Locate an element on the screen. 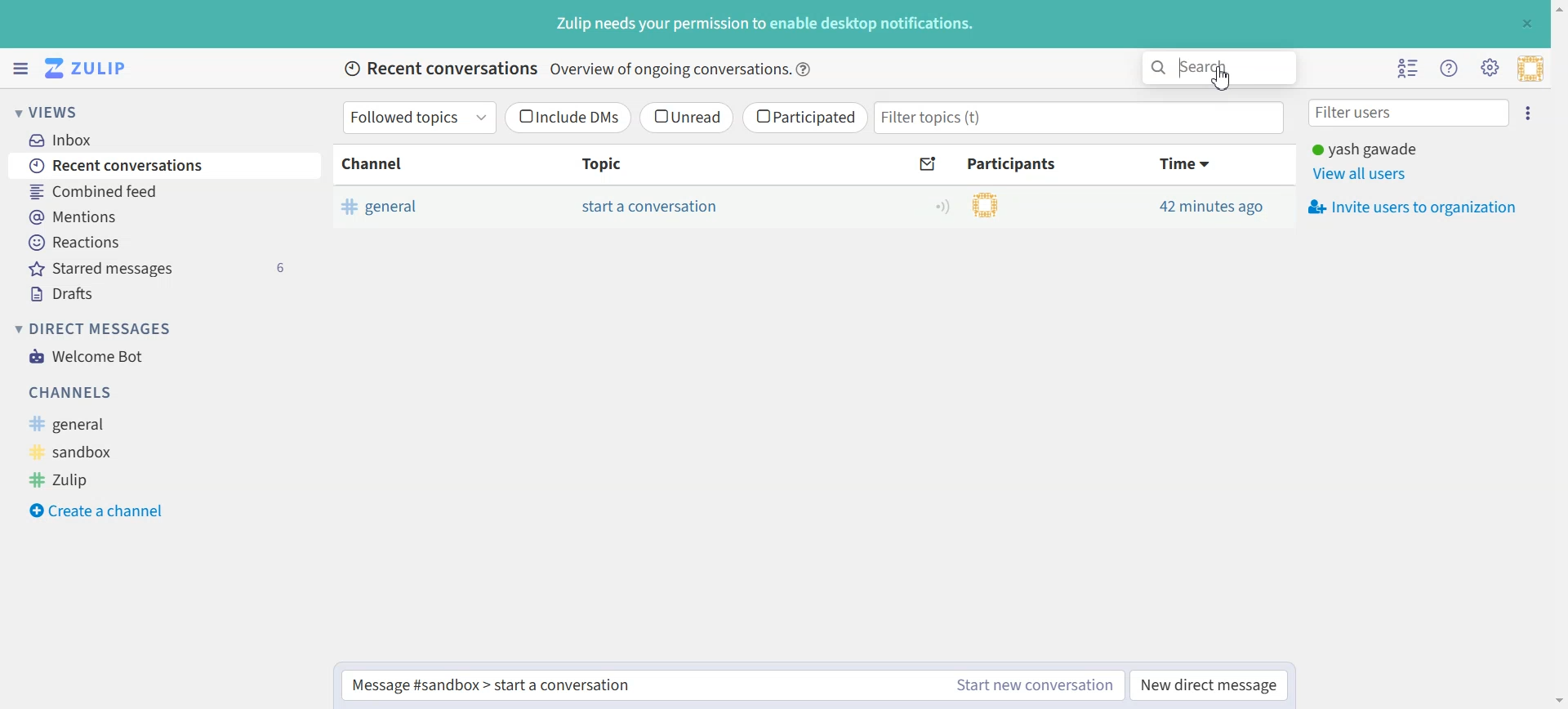  Close is located at coordinates (1526, 23).